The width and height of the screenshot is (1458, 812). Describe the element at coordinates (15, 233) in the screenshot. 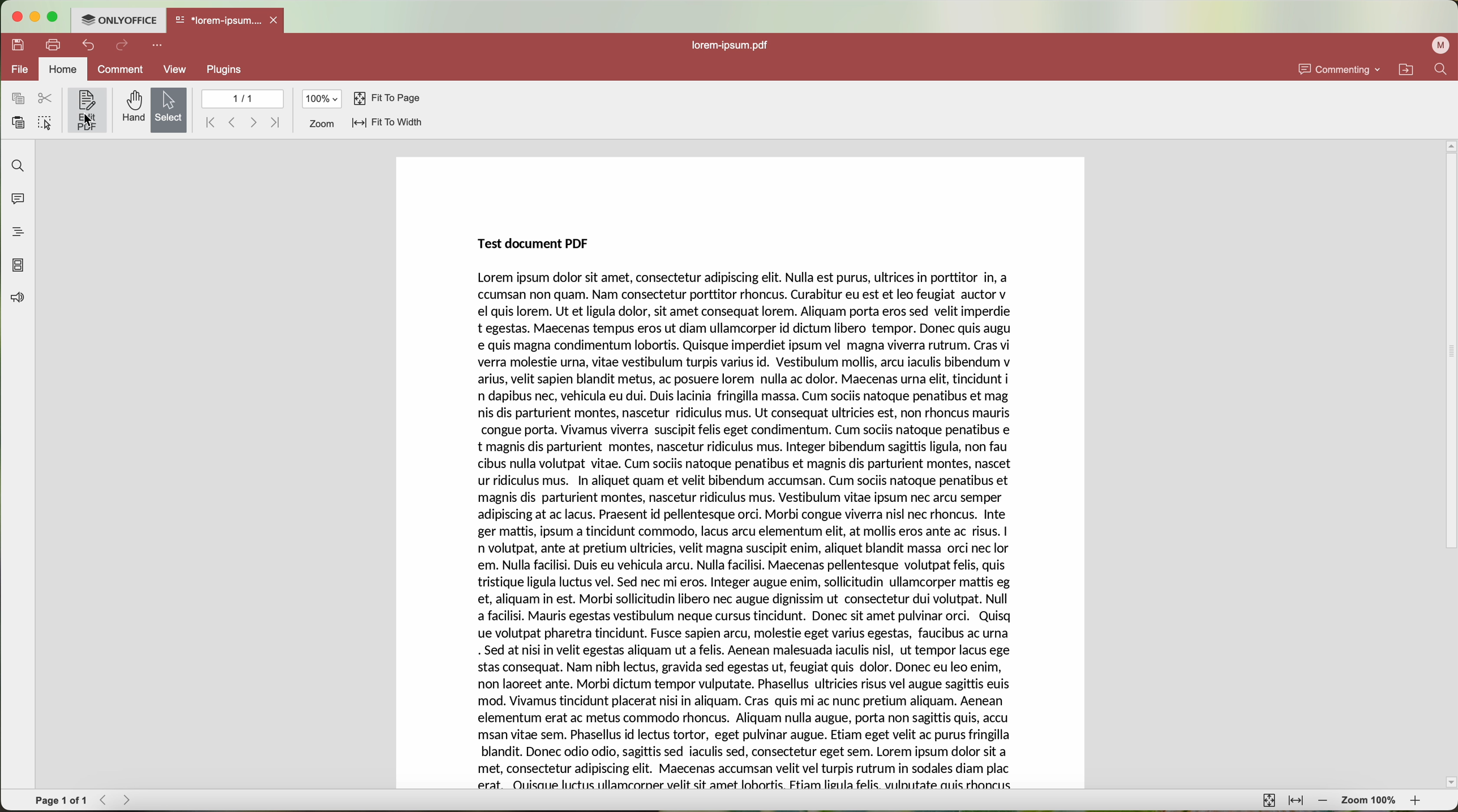

I see `headings` at that location.